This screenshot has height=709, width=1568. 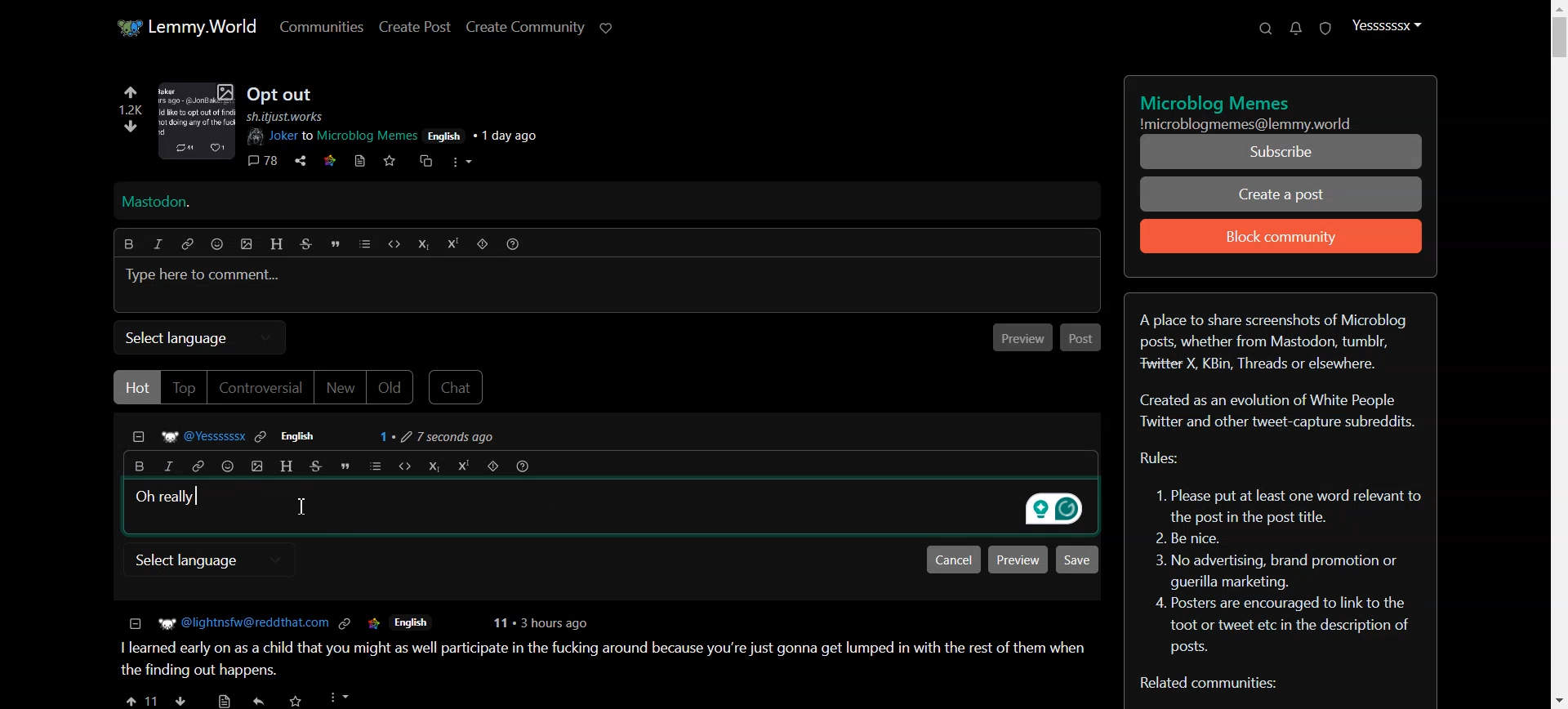 I want to click on Posts, so click(x=285, y=90).